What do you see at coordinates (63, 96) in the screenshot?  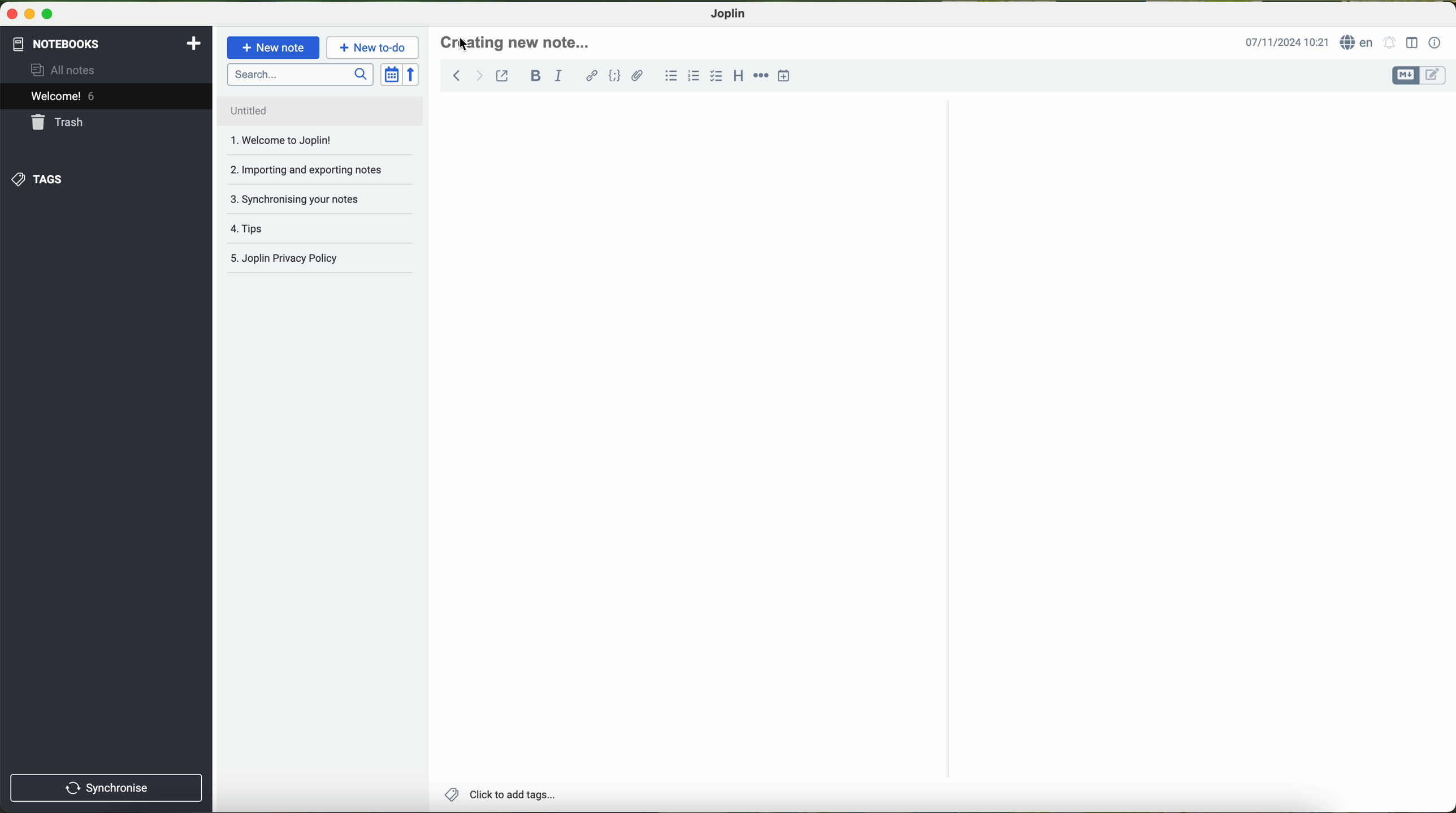 I see `welcome 5` at bounding box center [63, 96].